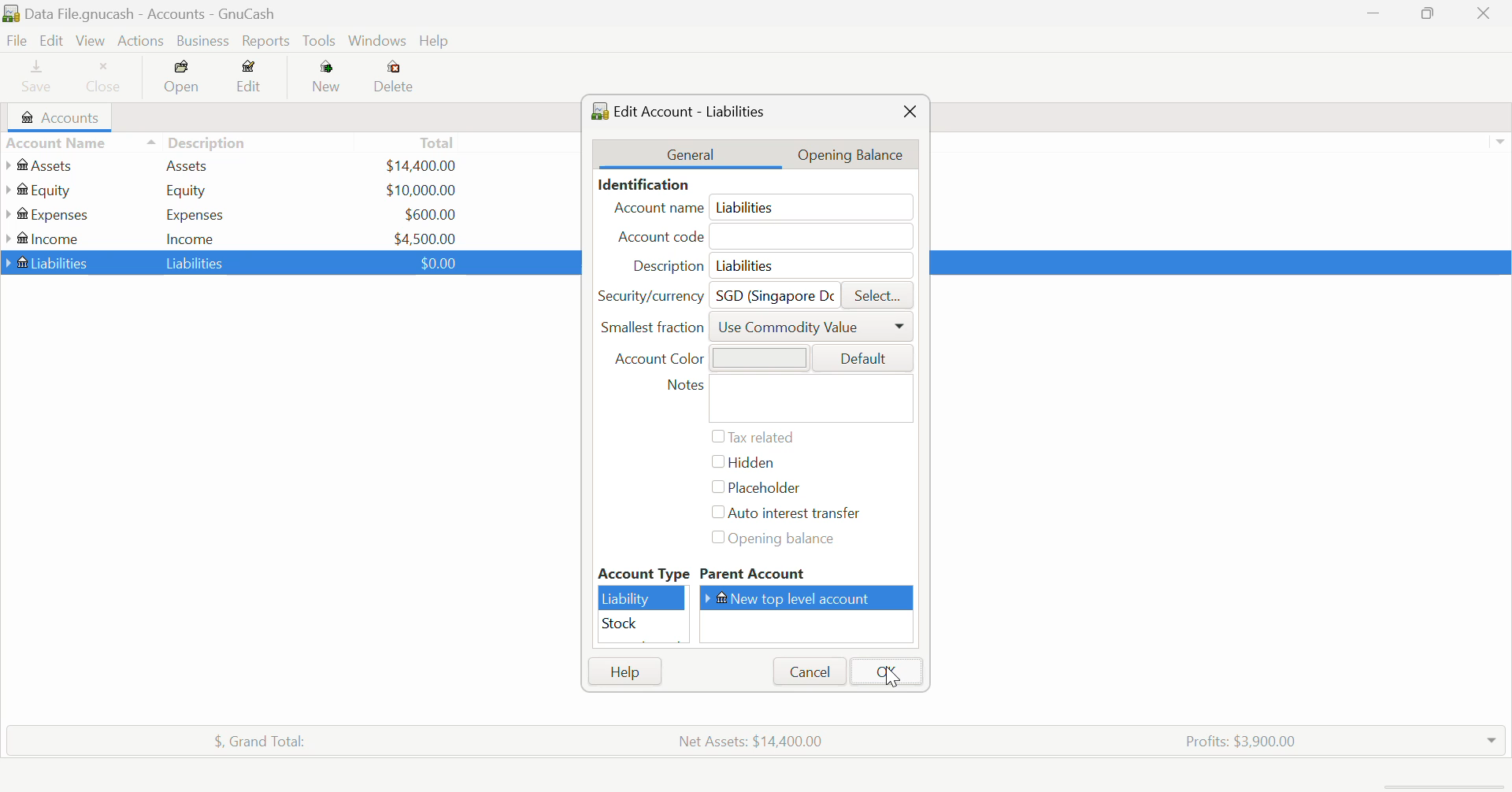 The width and height of the screenshot is (1512, 792). What do you see at coordinates (378, 43) in the screenshot?
I see `Windows` at bounding box center [378, 43].